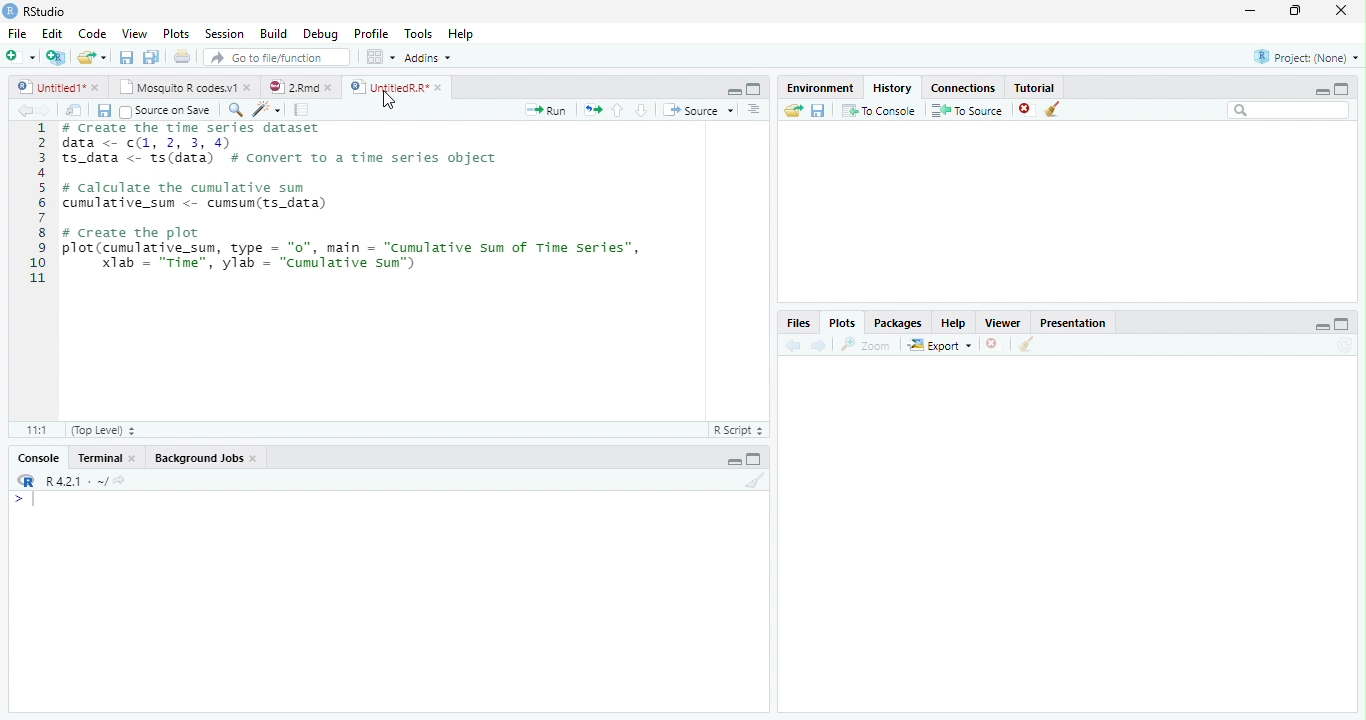 The width and height of the screenshot is (1366, 720). I want to click on Go to the next section , so click(642, 112).